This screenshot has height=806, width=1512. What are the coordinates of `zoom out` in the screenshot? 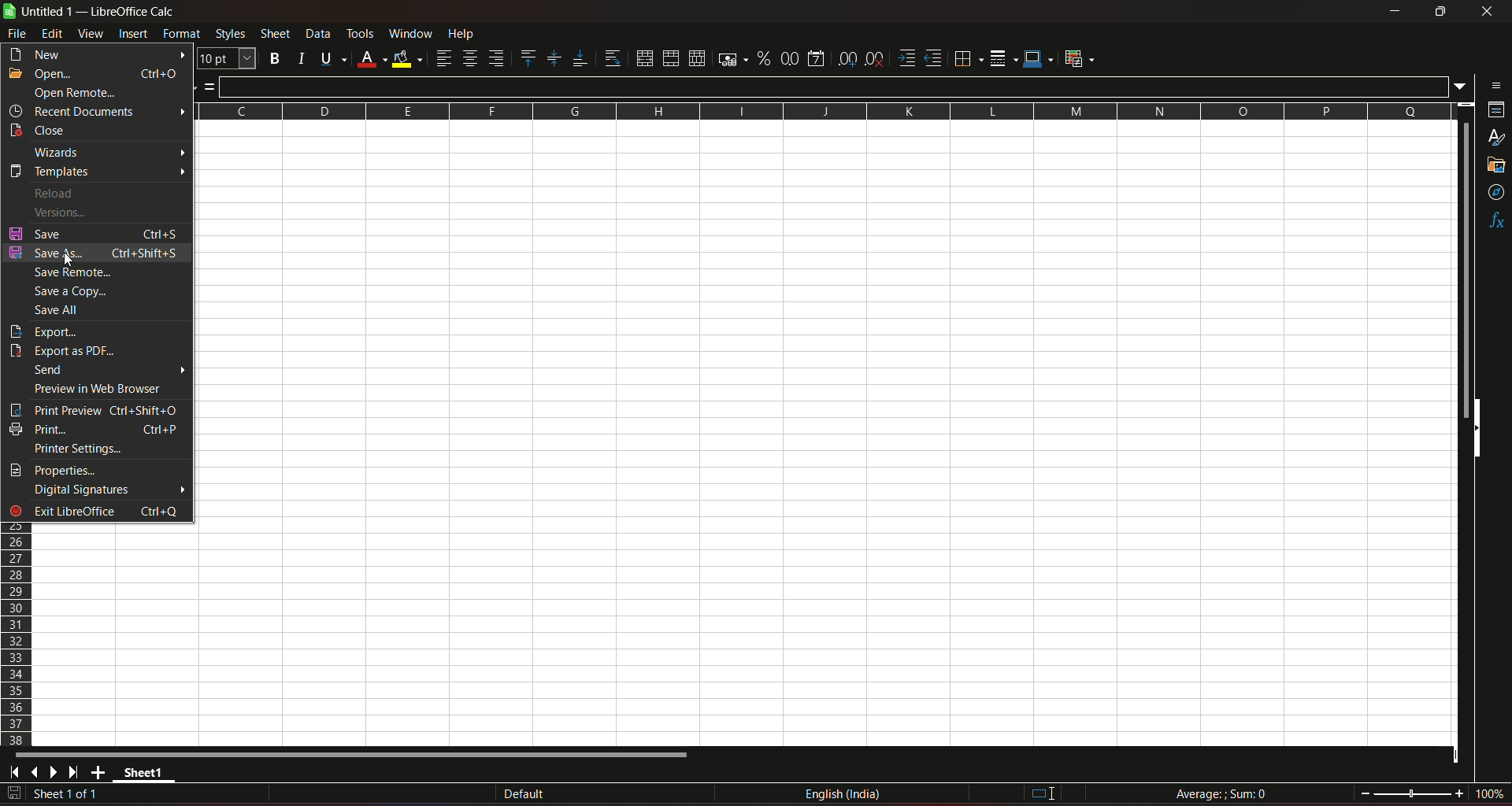 It's located at (1365, 792).